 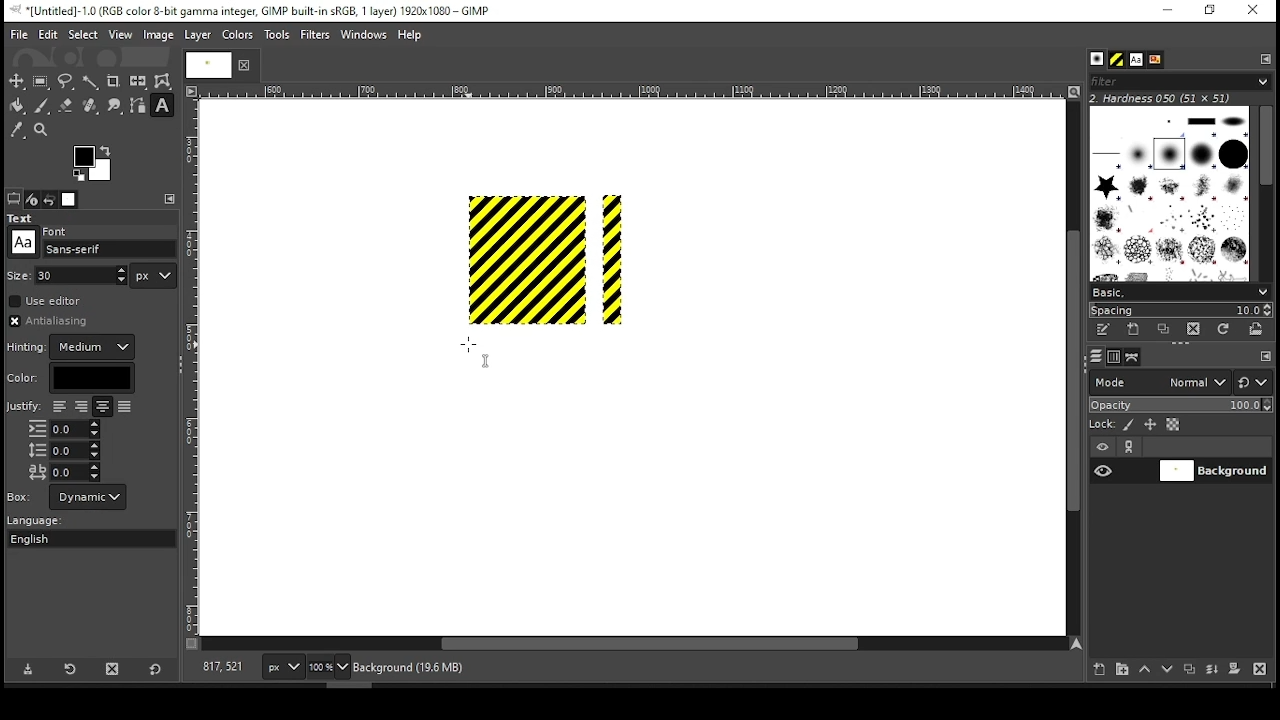 What do you see at coordinates (252, 9) in the screenshot?
I see `icon and filename` at bounding box center [252, 9].